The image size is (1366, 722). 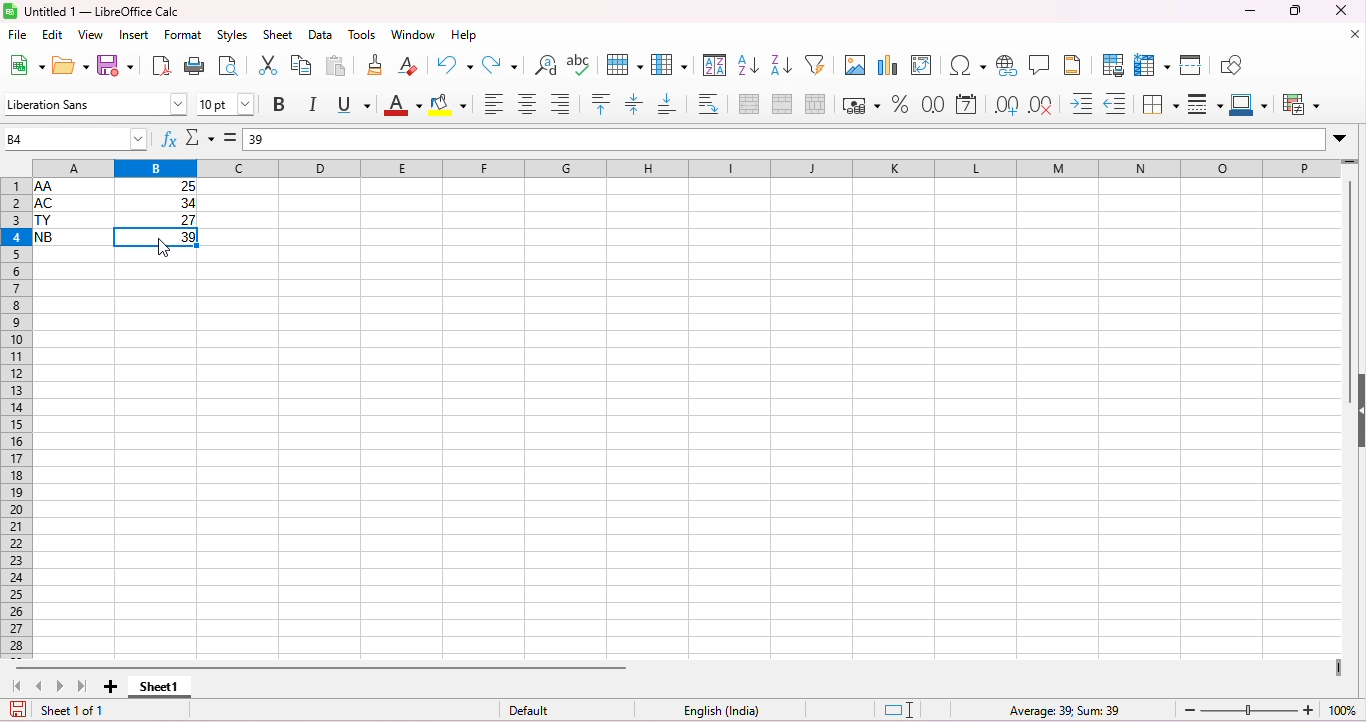 I want to click on format as number, so click(x=934, y=104).